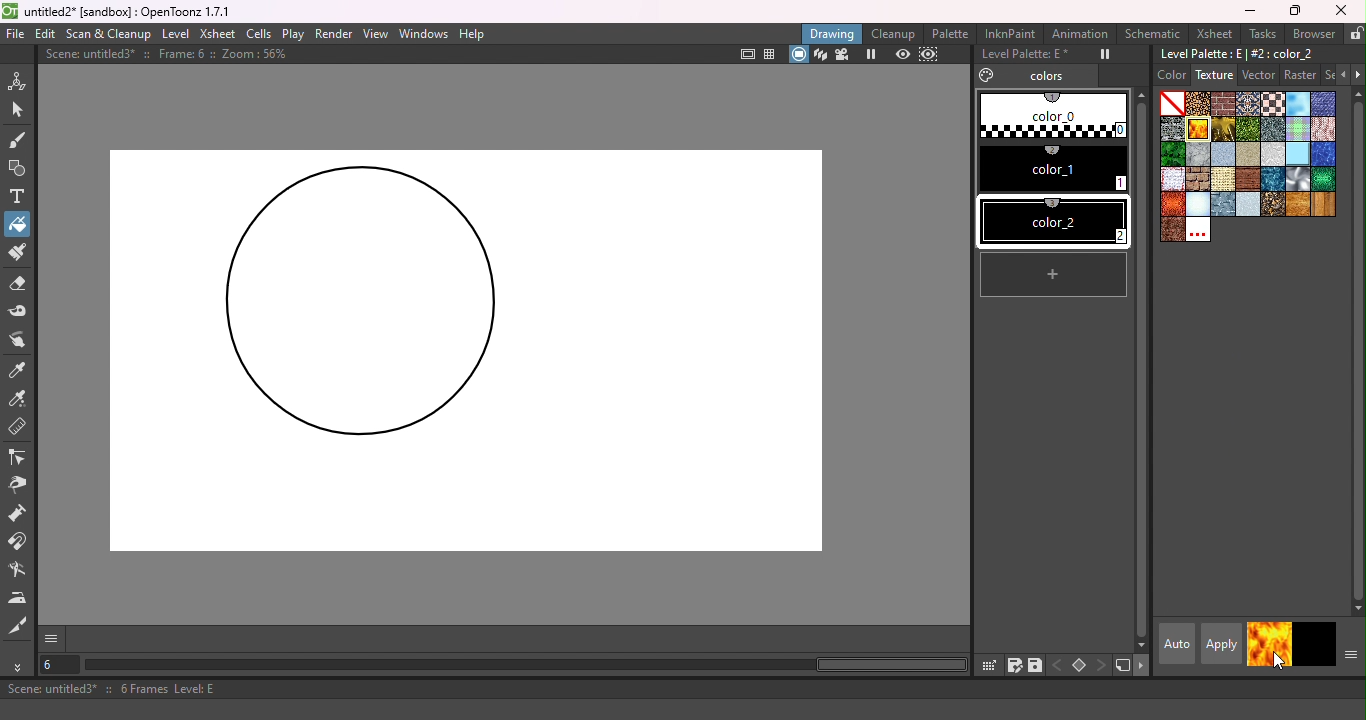 Image resolution: width=1366 pixels, height=720 pixels. What do you see at coordinates (771, 55) in the screenshot?
I see `Field guide` at bounding box center [771, 55].